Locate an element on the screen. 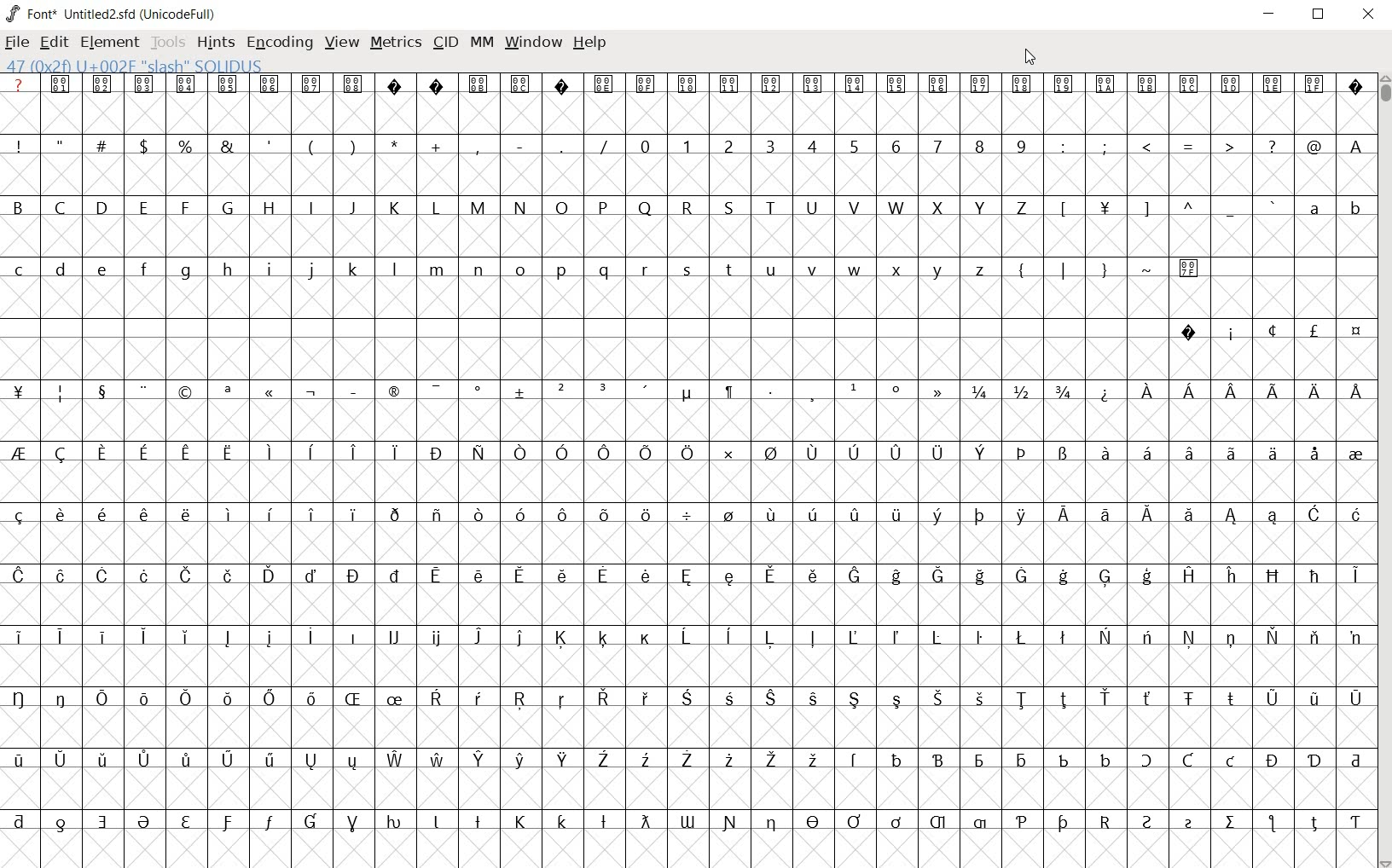 The image size is (1392, 868). small letters c-z is located at coordinates (506, 268).